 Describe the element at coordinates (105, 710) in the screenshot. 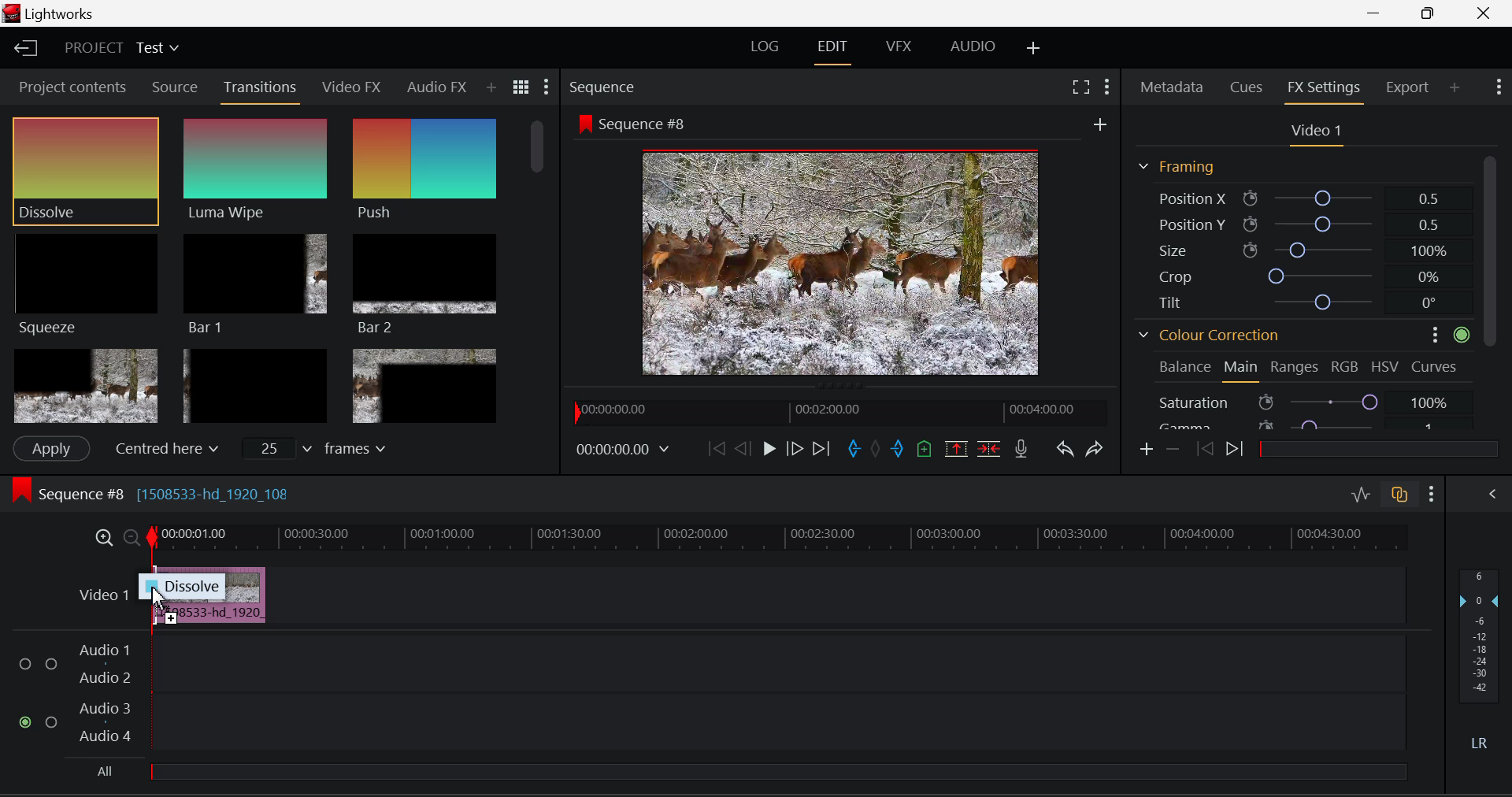

I see `Audio 3` at that location.